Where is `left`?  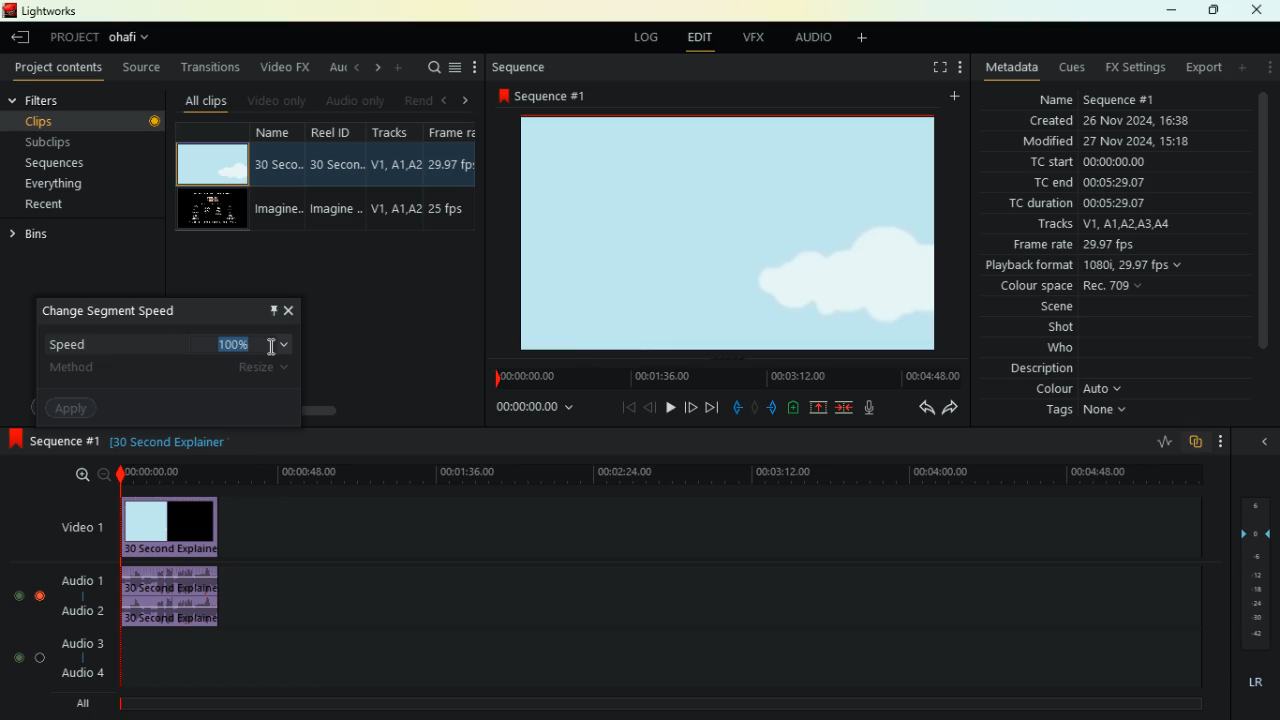
left is located at coordinates (446, 100).